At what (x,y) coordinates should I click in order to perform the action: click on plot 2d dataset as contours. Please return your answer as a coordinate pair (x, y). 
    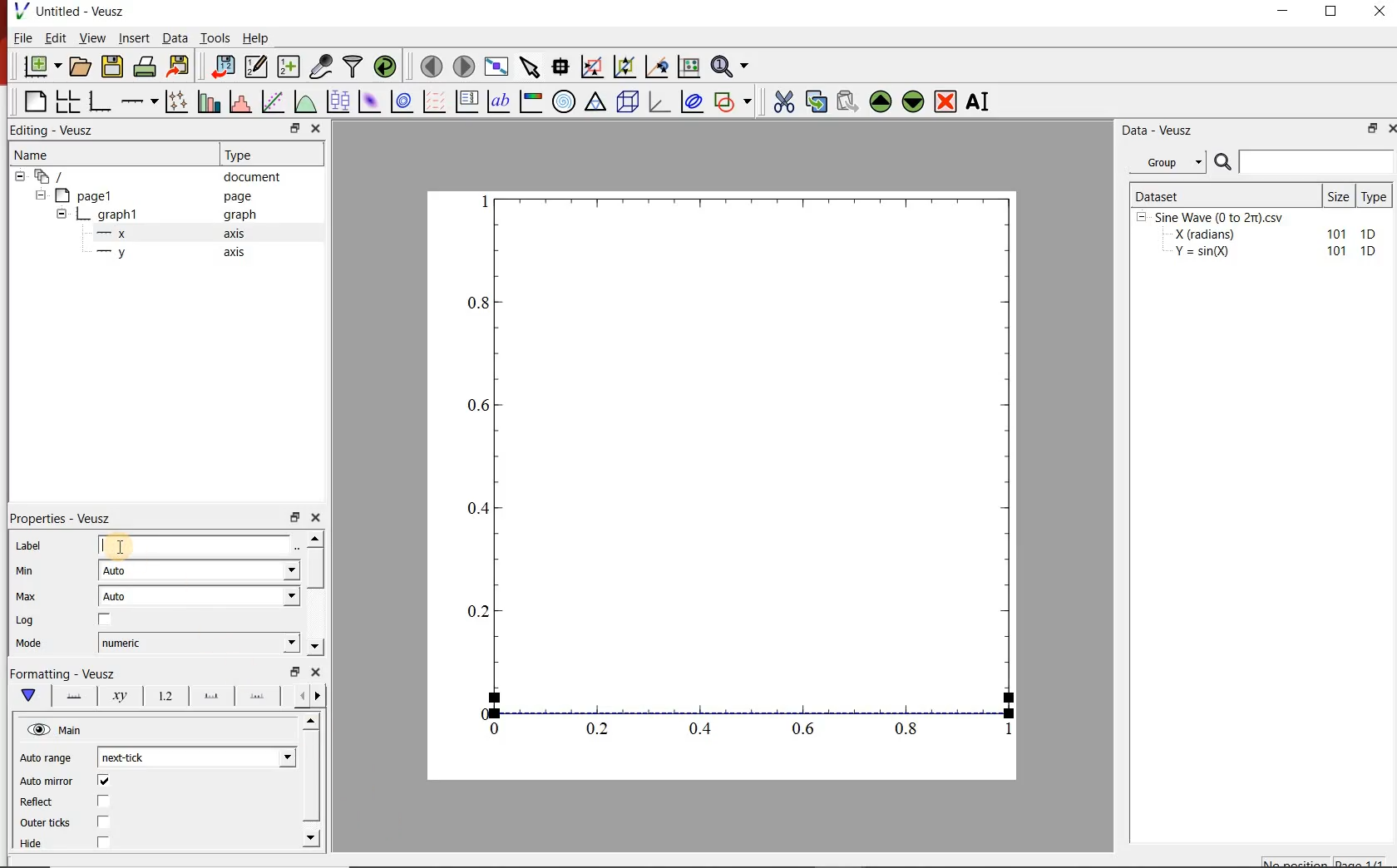
    Looking at the image, I should click on (402, 101).